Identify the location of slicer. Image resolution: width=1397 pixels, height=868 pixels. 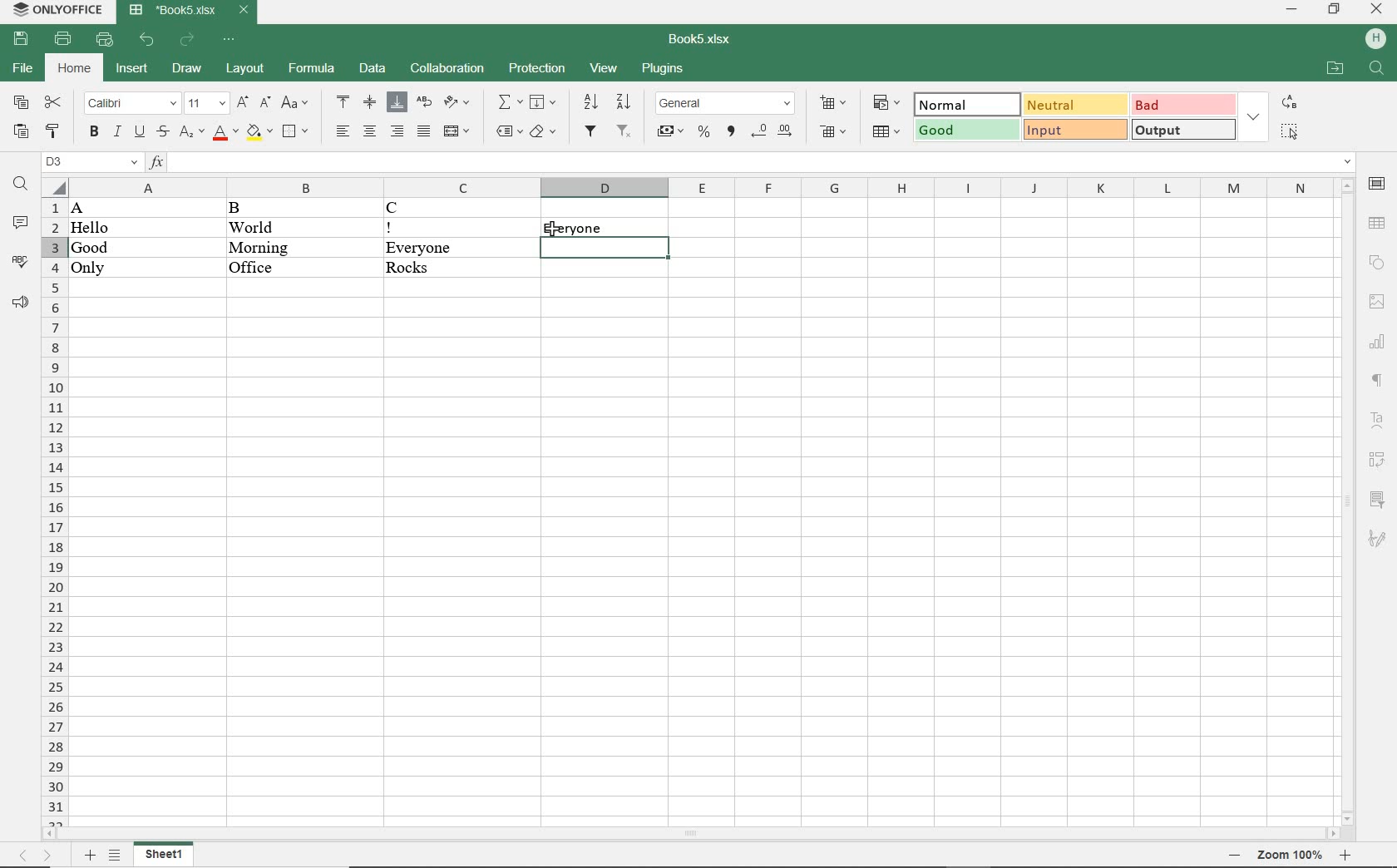
(1376, 498).